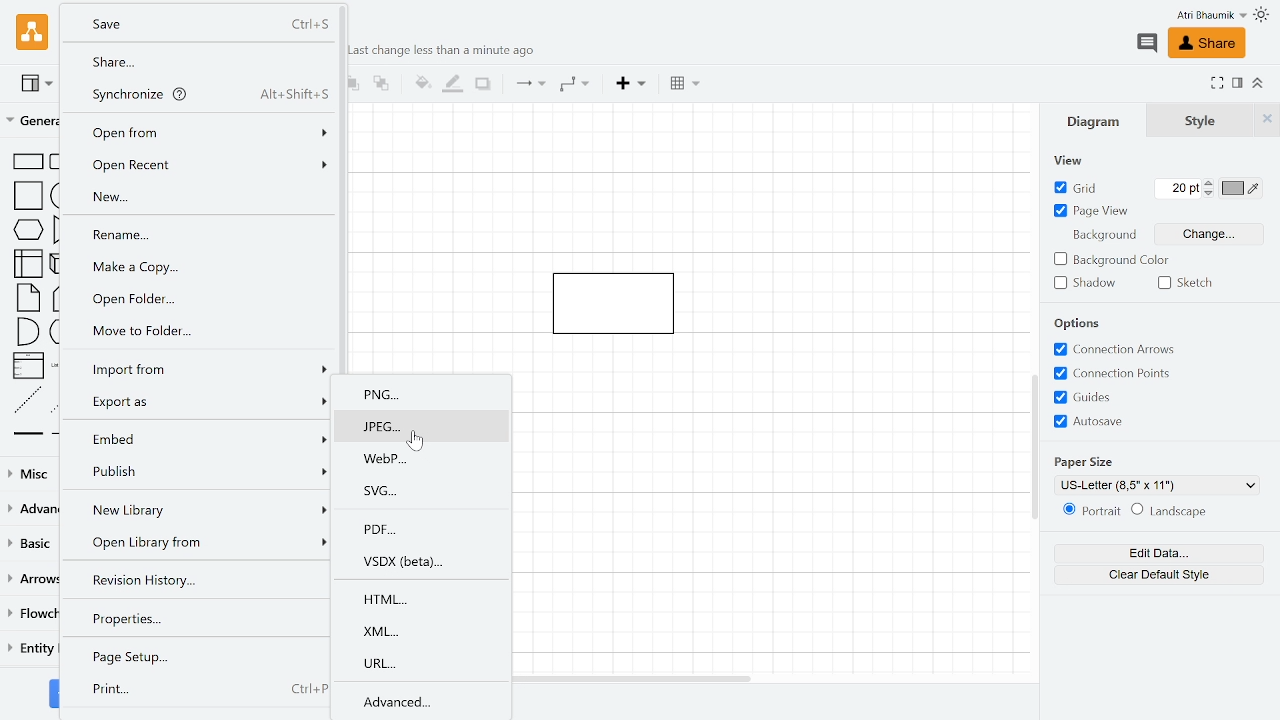 The width and height of the screenshot is (1280, 720). What do you see at coordinates (427, 528) in the screenshot?
I see `PDF` at bounding box center [427, 528].